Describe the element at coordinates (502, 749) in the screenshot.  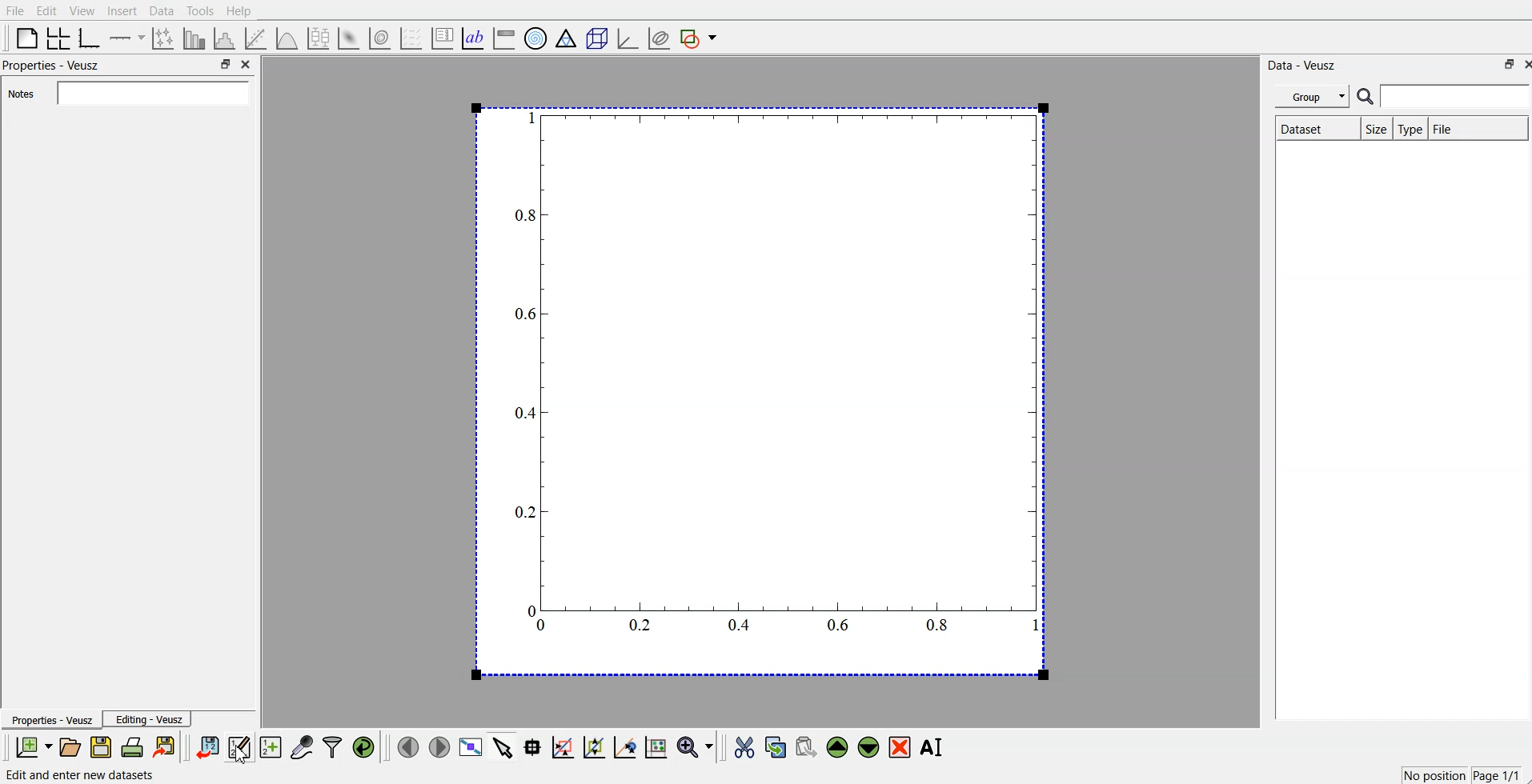
I see `select items` at that location.